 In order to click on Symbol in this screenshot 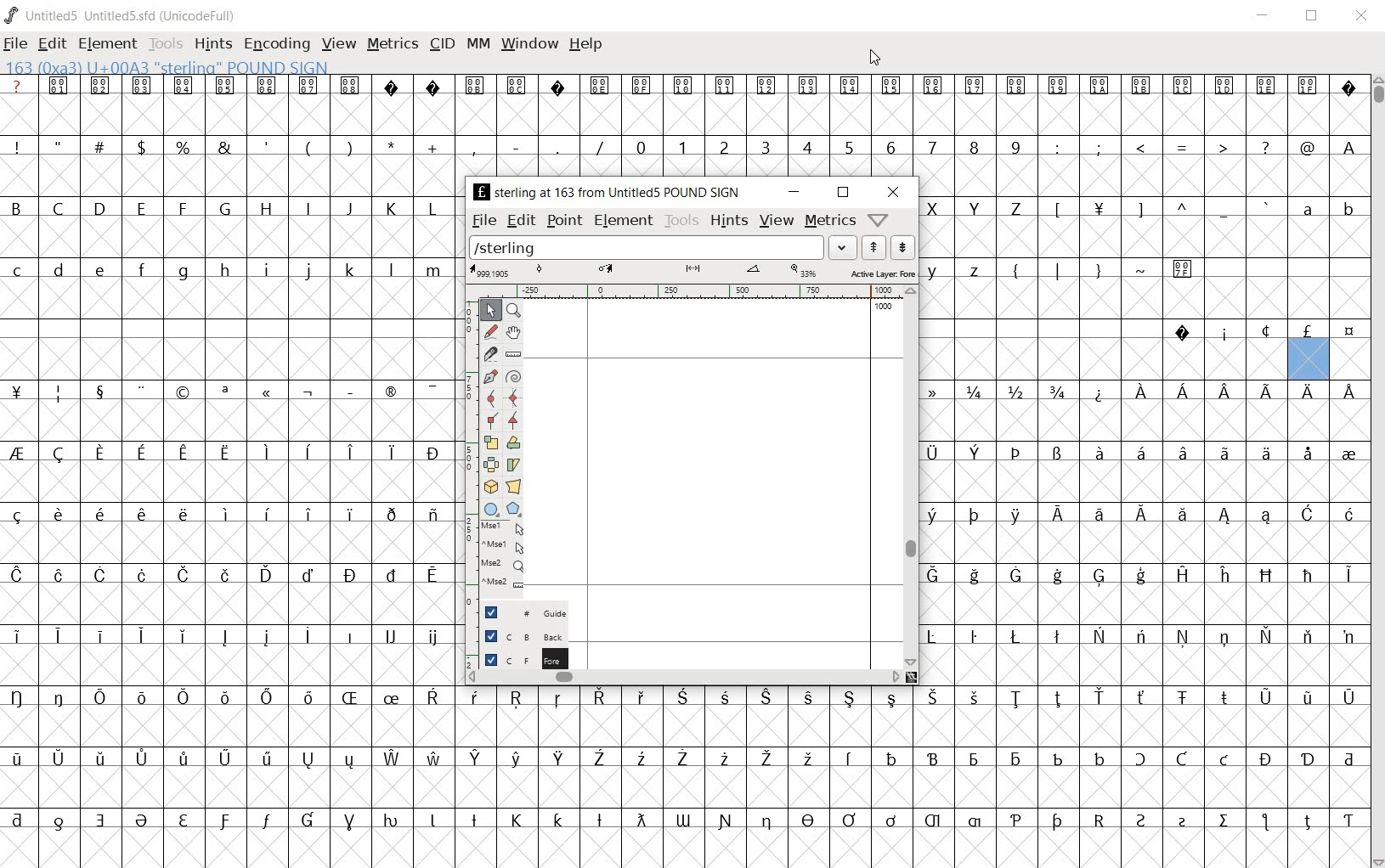, I will do `click(393, 86)`.